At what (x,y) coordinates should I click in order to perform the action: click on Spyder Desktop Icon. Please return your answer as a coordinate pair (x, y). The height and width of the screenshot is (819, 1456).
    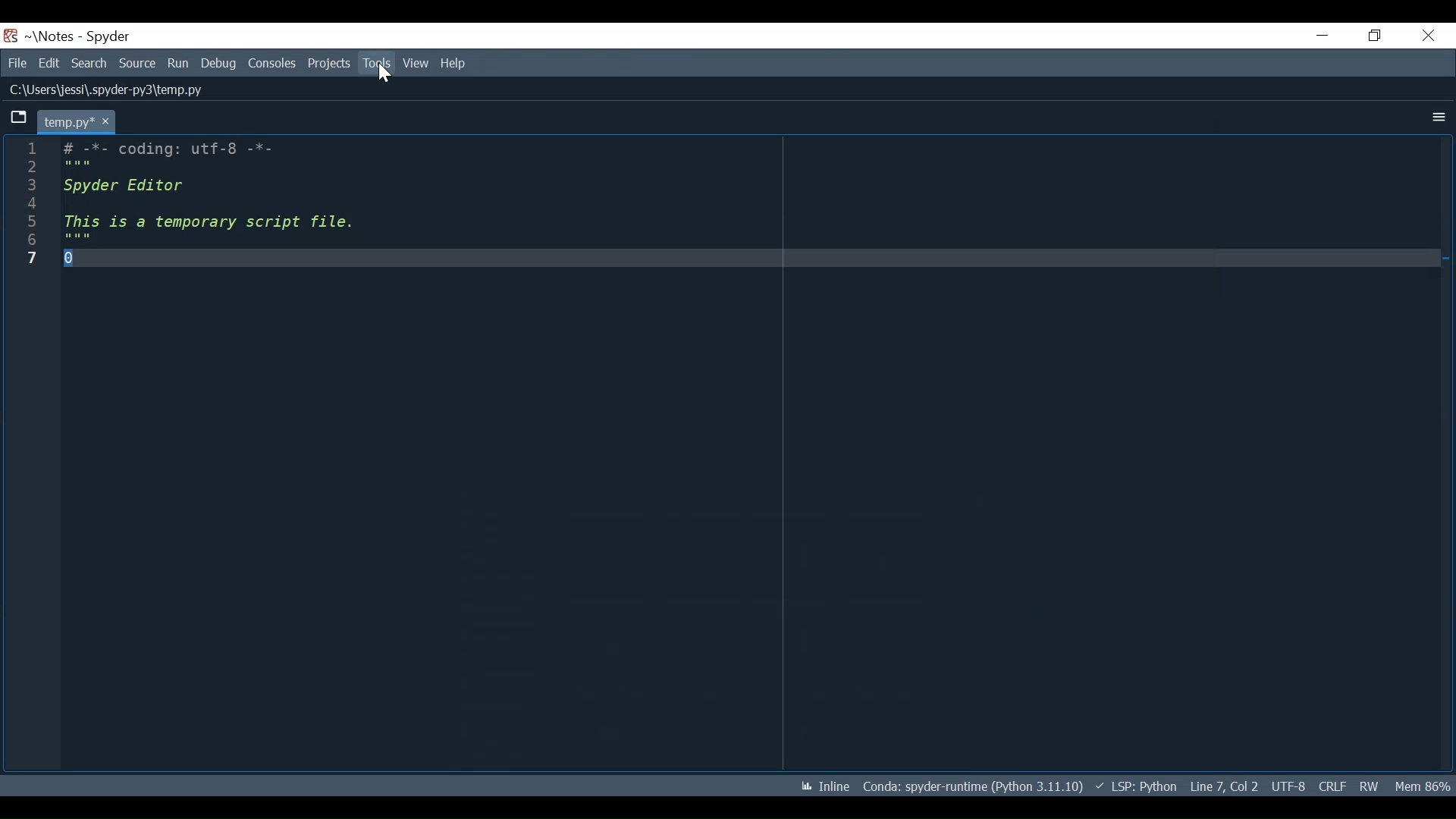
    Looking at the image, I should click on (11, 36).